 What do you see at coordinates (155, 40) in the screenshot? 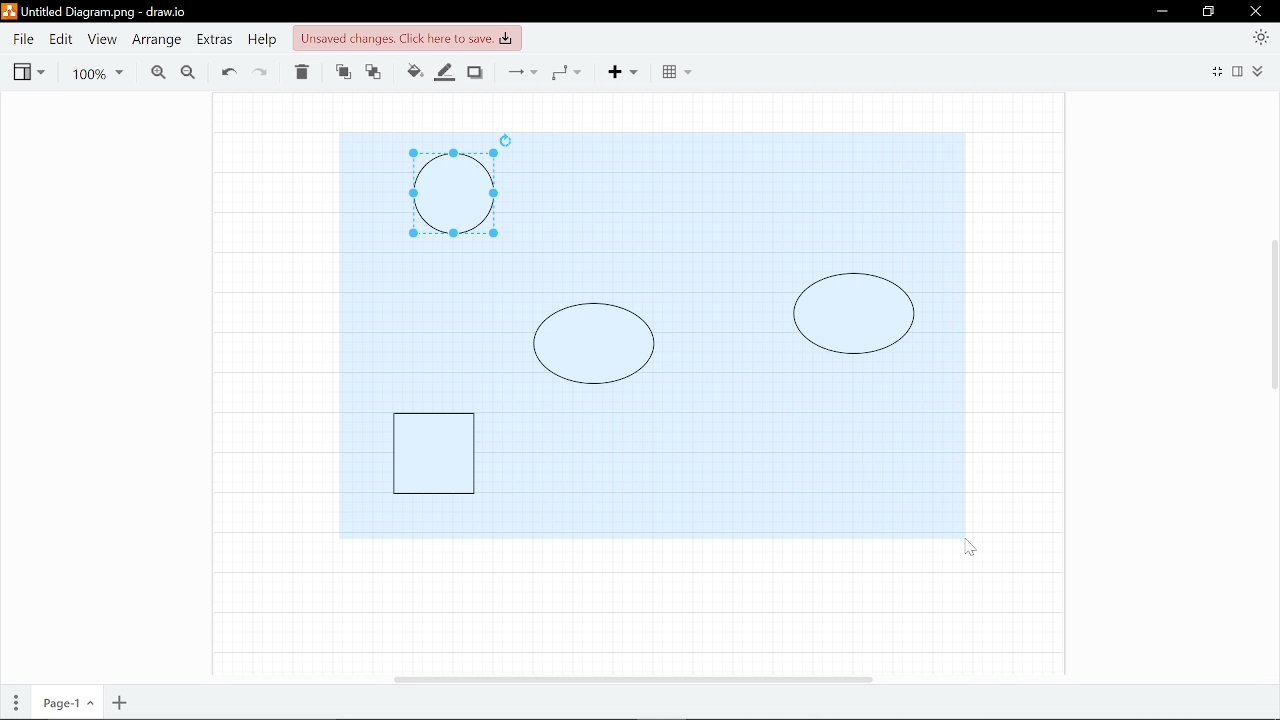
I see `Arrange` at bounding box center [155, 40].